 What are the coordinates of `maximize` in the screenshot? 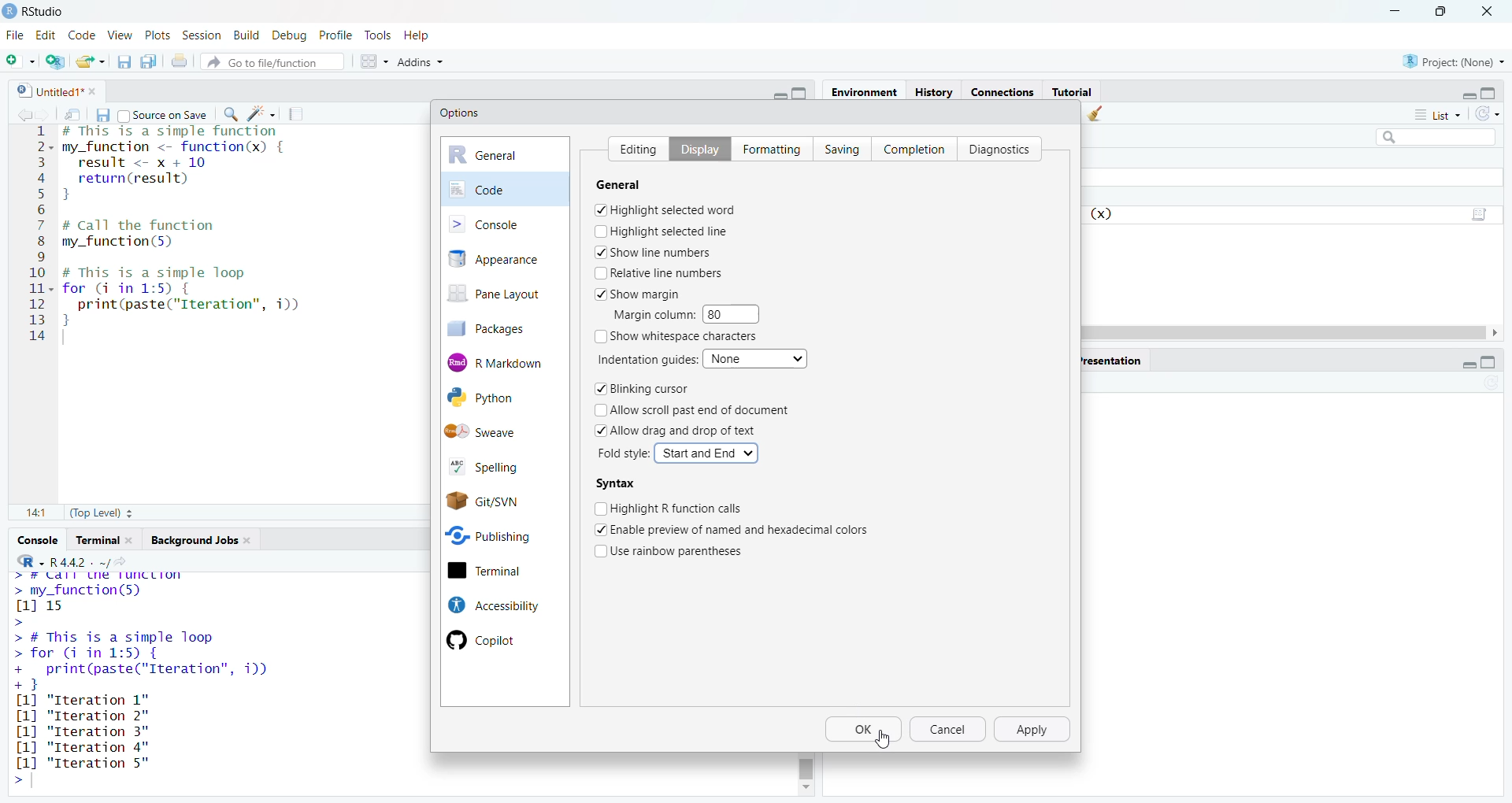 It's located at (1441, 10).